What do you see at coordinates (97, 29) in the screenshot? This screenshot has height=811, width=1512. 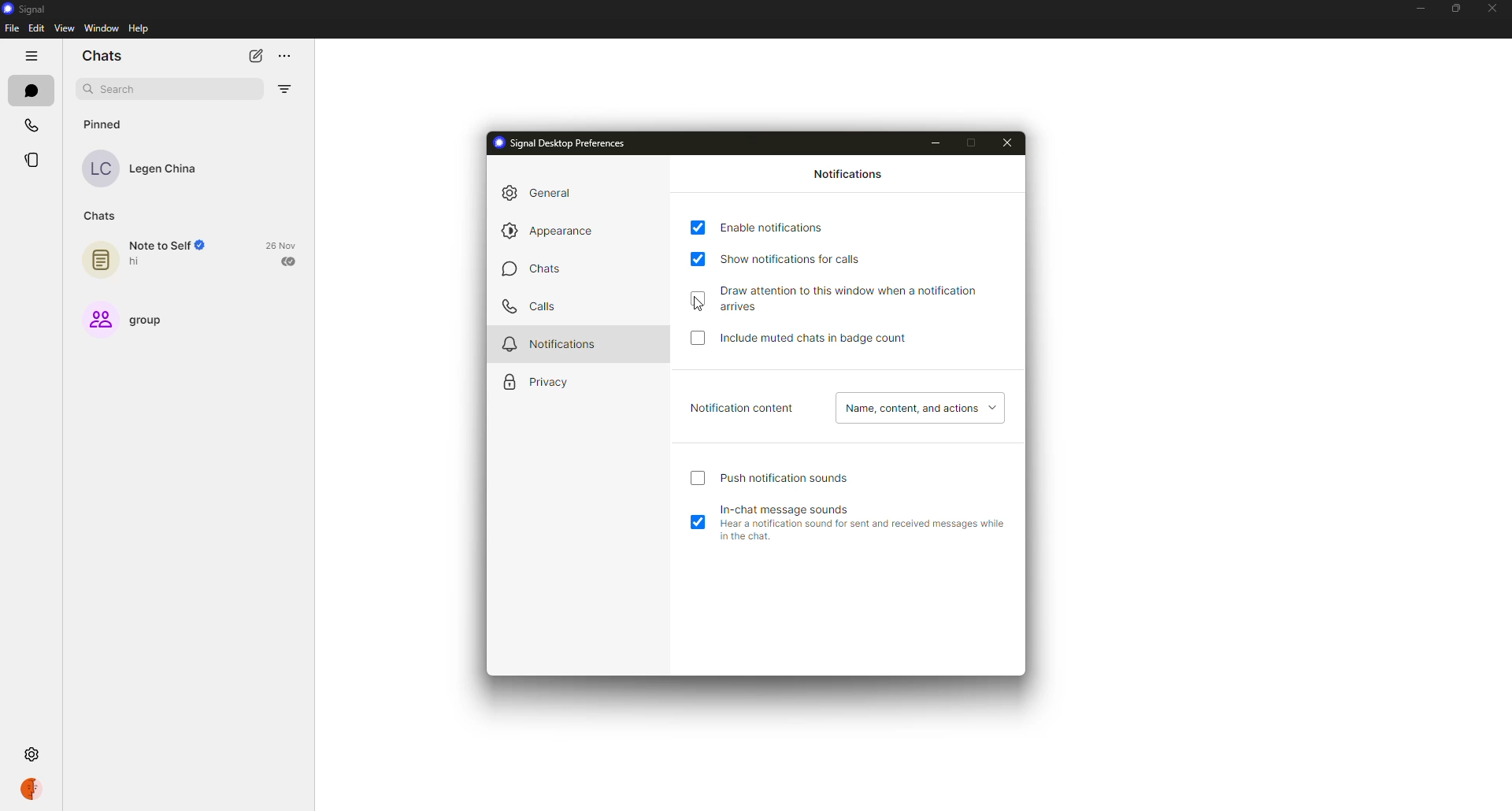 I see `window` at bounding box center [97, 29].